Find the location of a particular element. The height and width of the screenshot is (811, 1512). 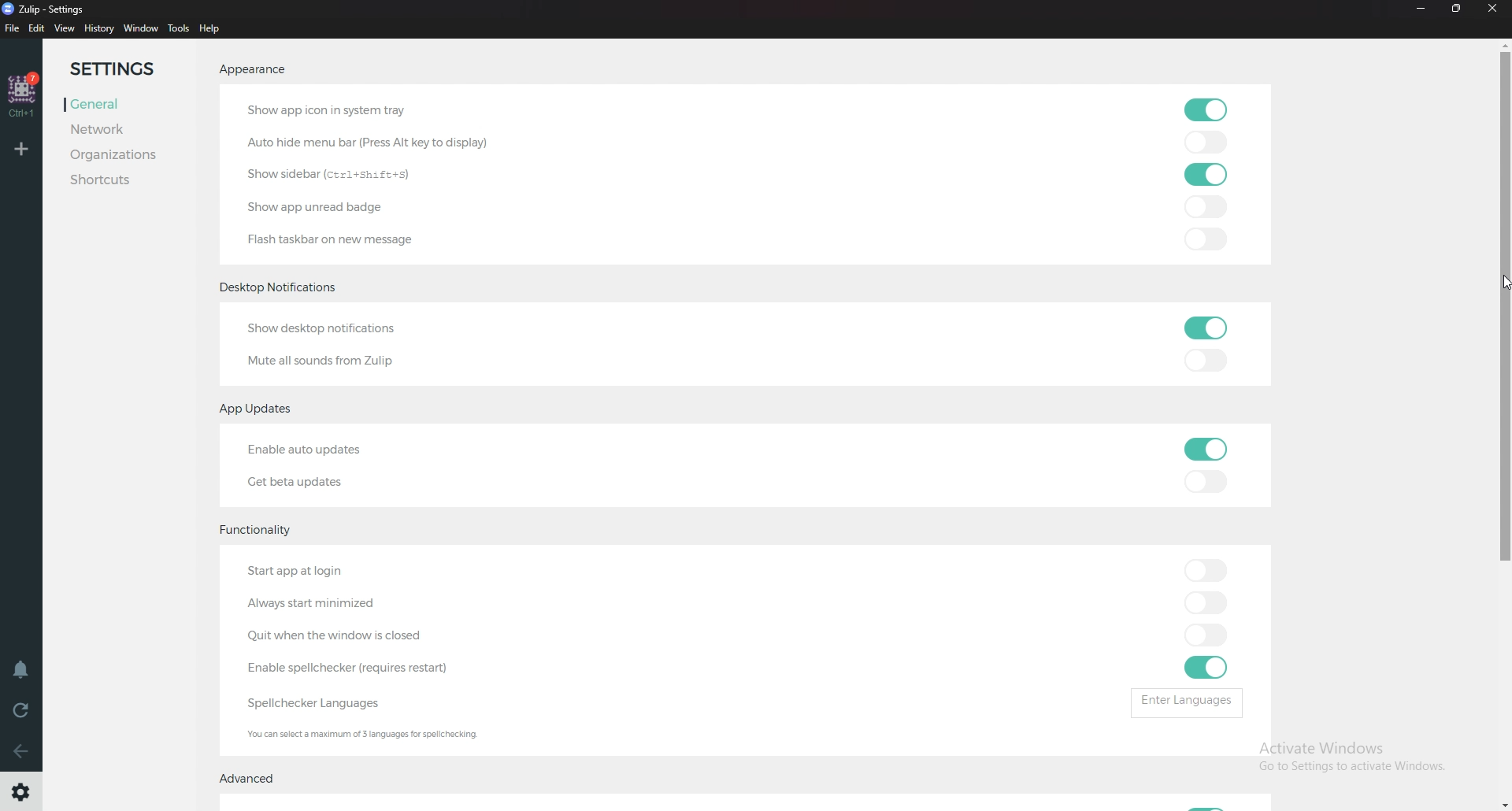

Enable do not disturb is located at coordinates (25, 670).